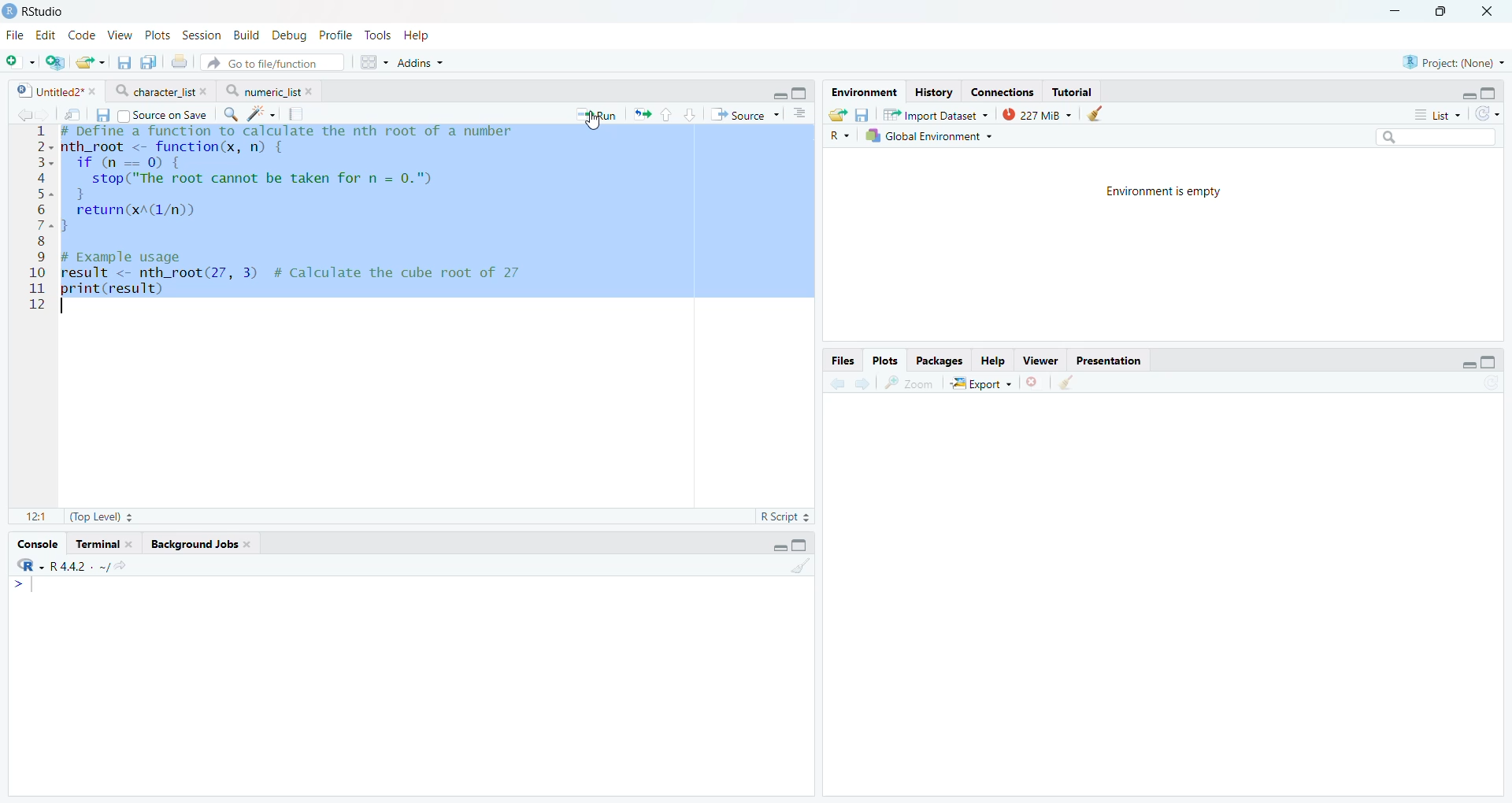 The height and width of the screenshot is (803, 1512). I want to click on numeric_list, so click(269, 91).